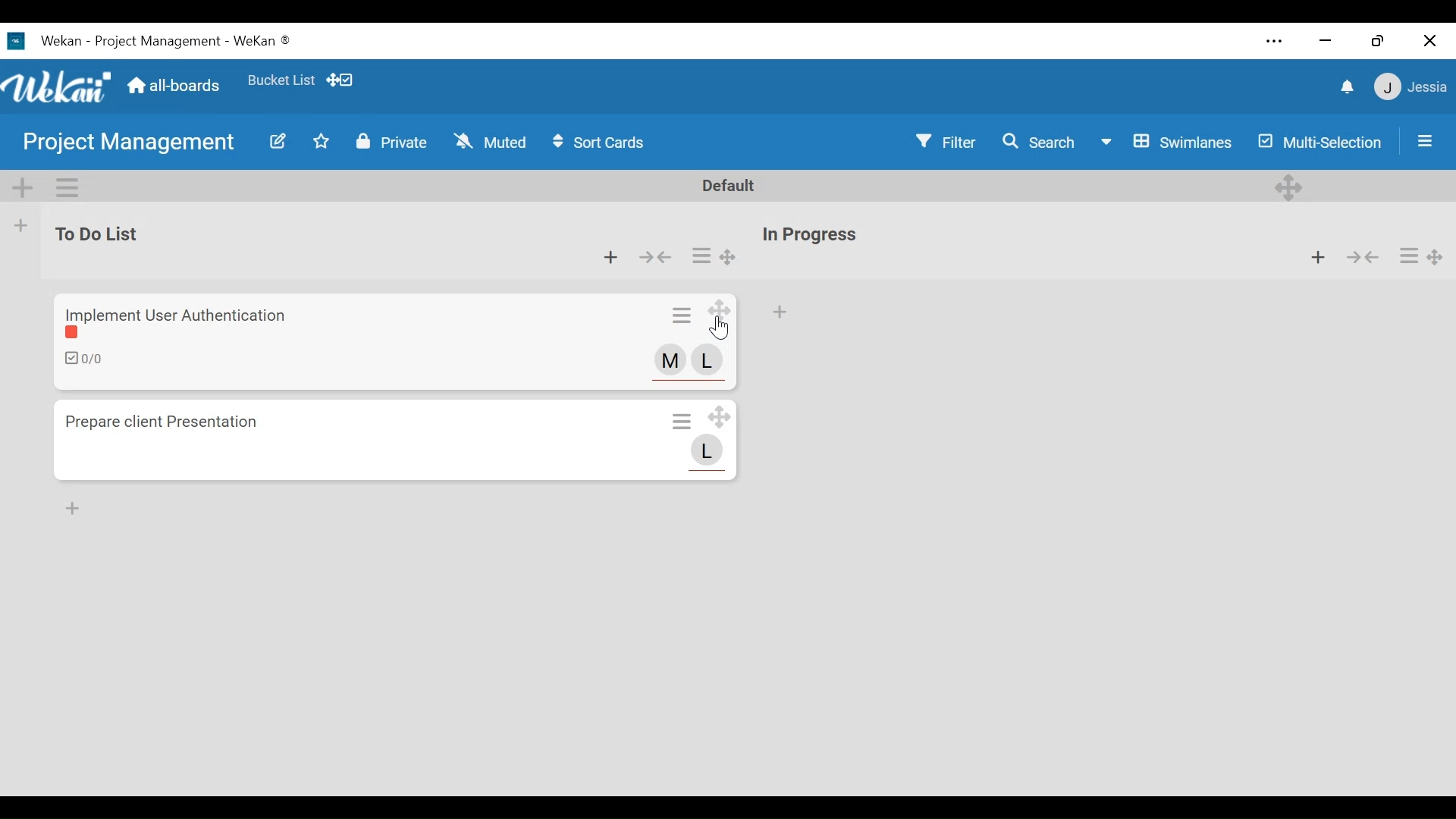  Describe the element at coordinates (1273, 41) in the screenshot. I see `settings and more` at that location.